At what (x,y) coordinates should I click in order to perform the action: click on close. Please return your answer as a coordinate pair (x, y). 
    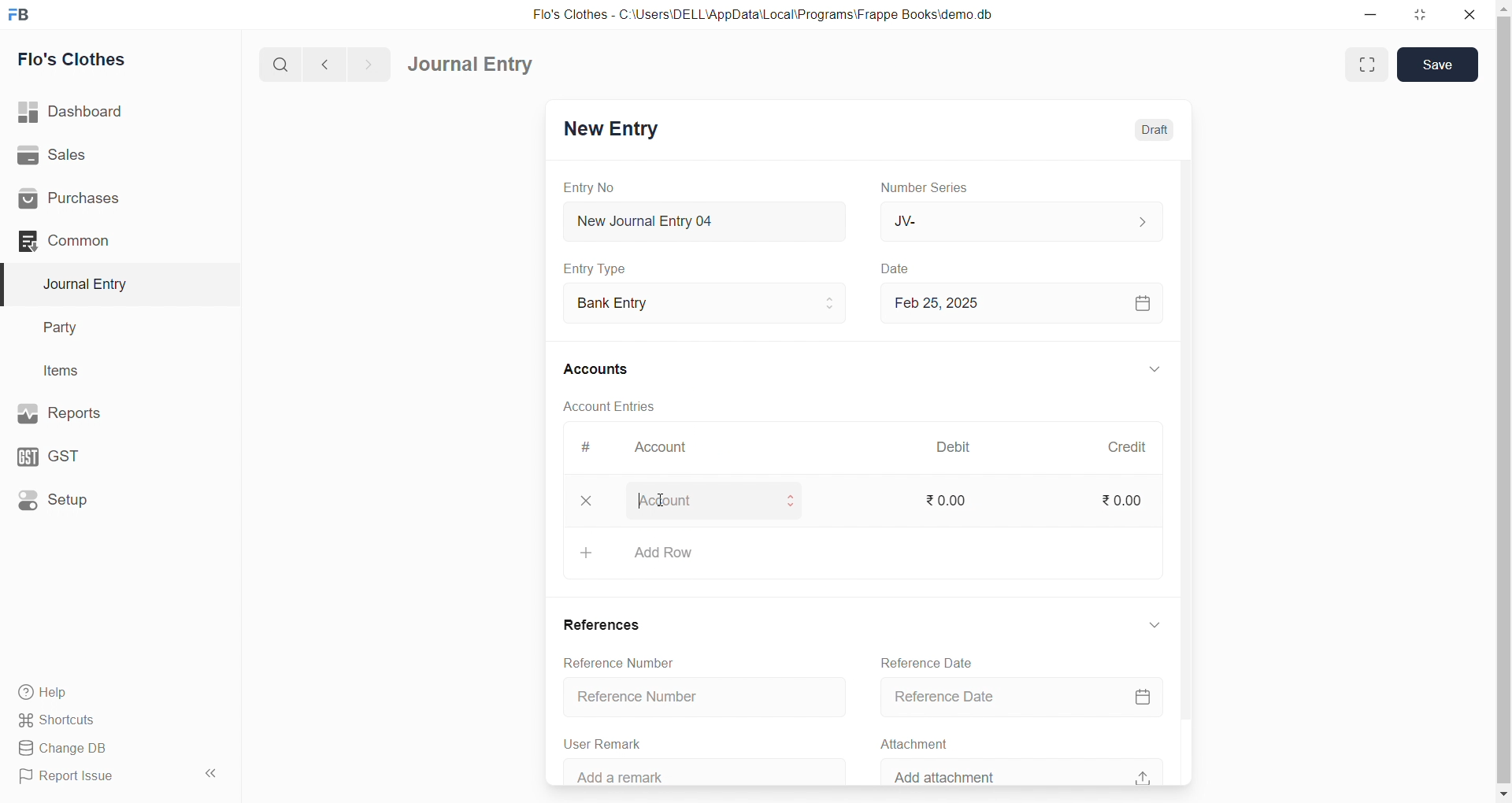
    Looking at the image, I should click on (587, 500).